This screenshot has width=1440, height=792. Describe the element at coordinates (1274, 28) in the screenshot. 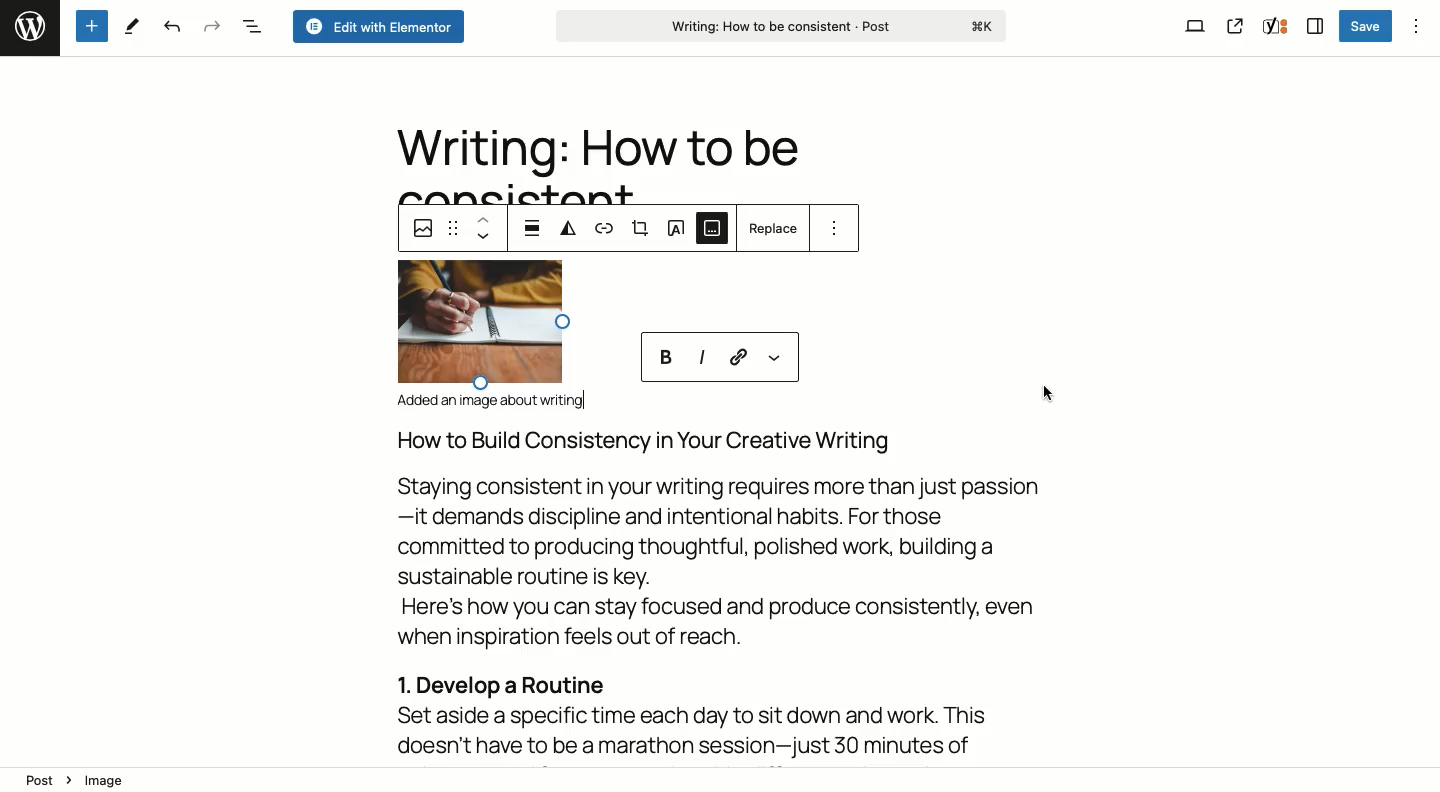

I see `Yoast SEO` at that location.